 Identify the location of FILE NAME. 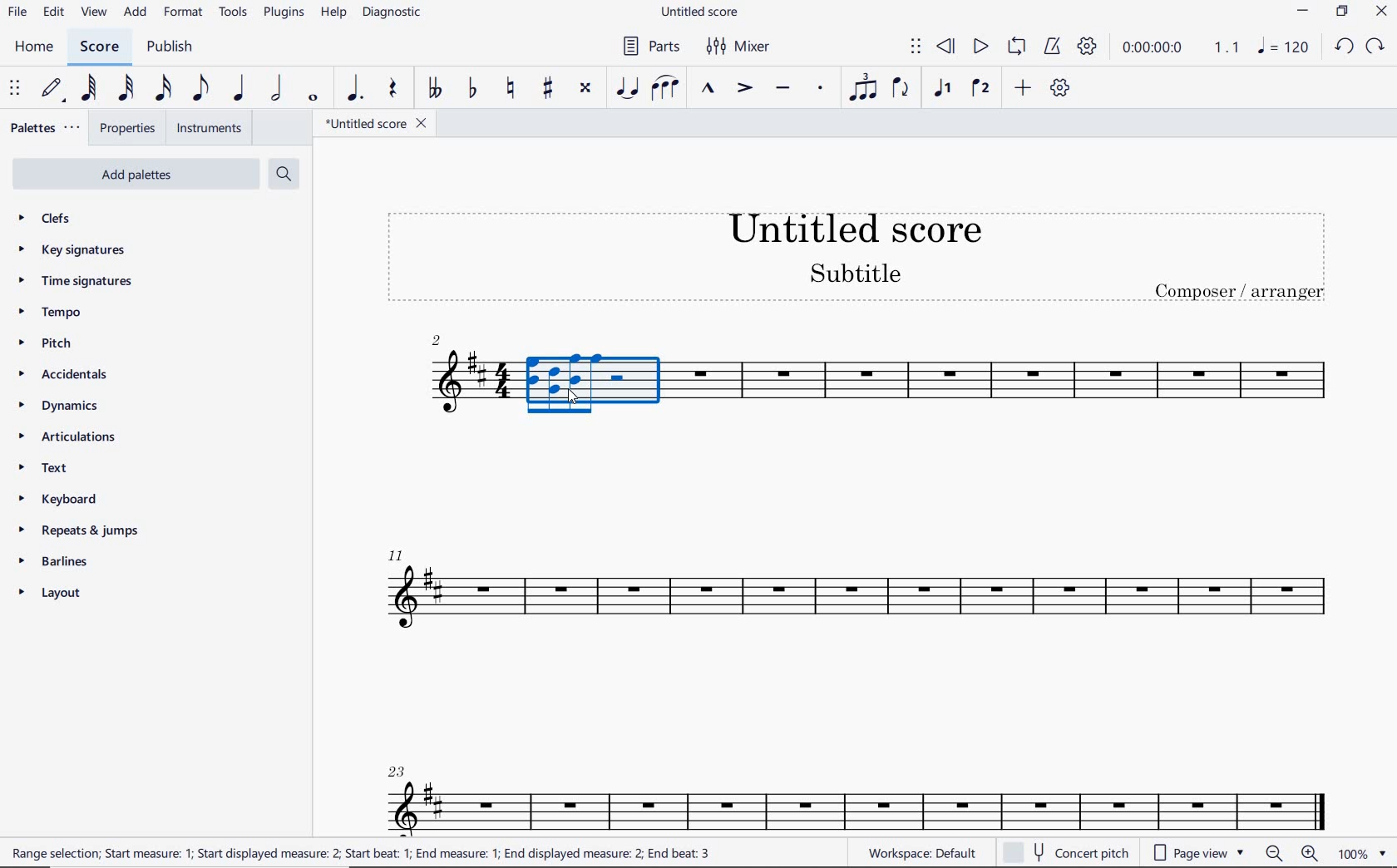
(375, 123).